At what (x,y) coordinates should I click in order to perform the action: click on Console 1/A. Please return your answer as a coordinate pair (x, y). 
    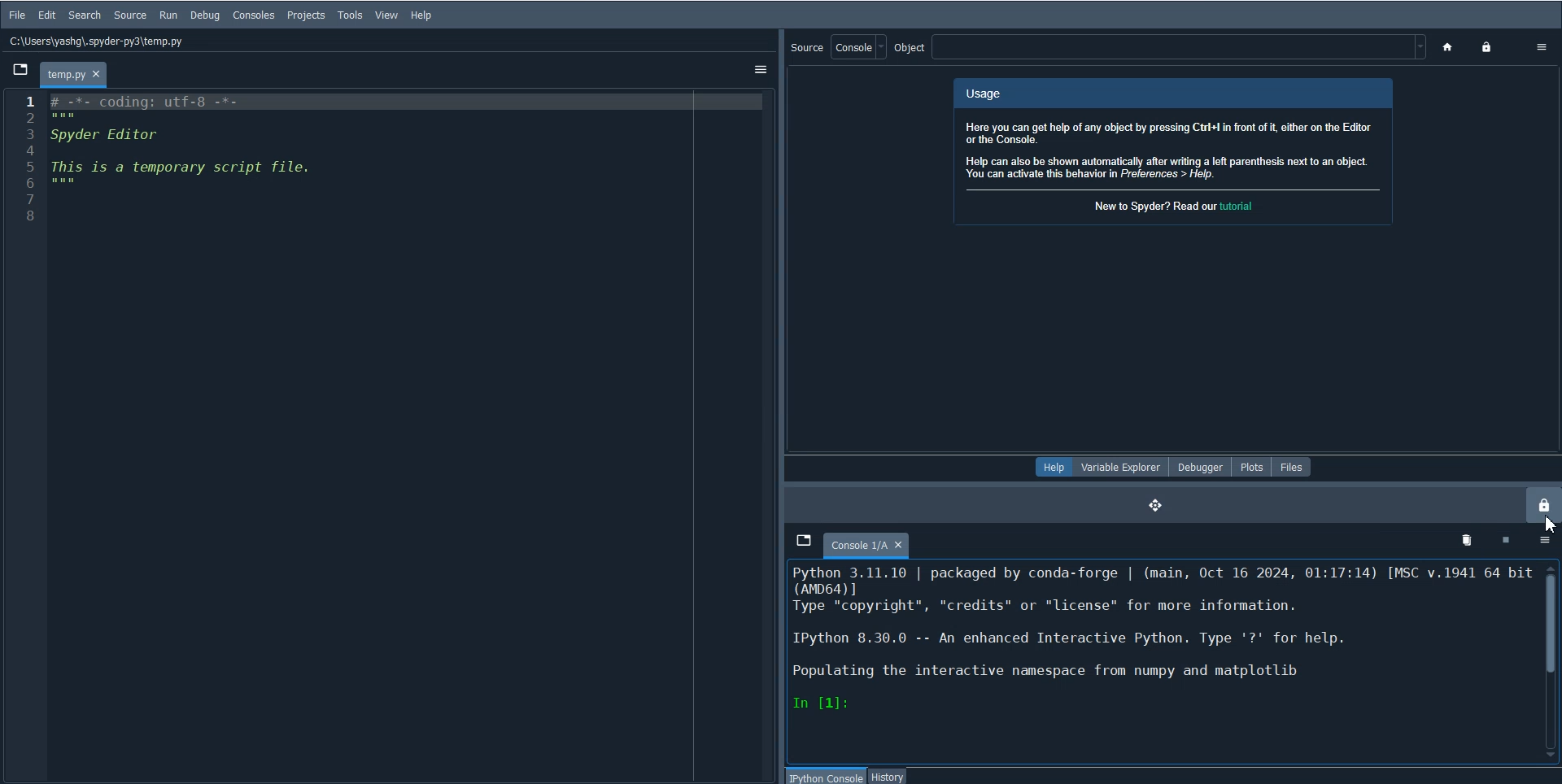
    Looking at the image, I should click on (867, 545).